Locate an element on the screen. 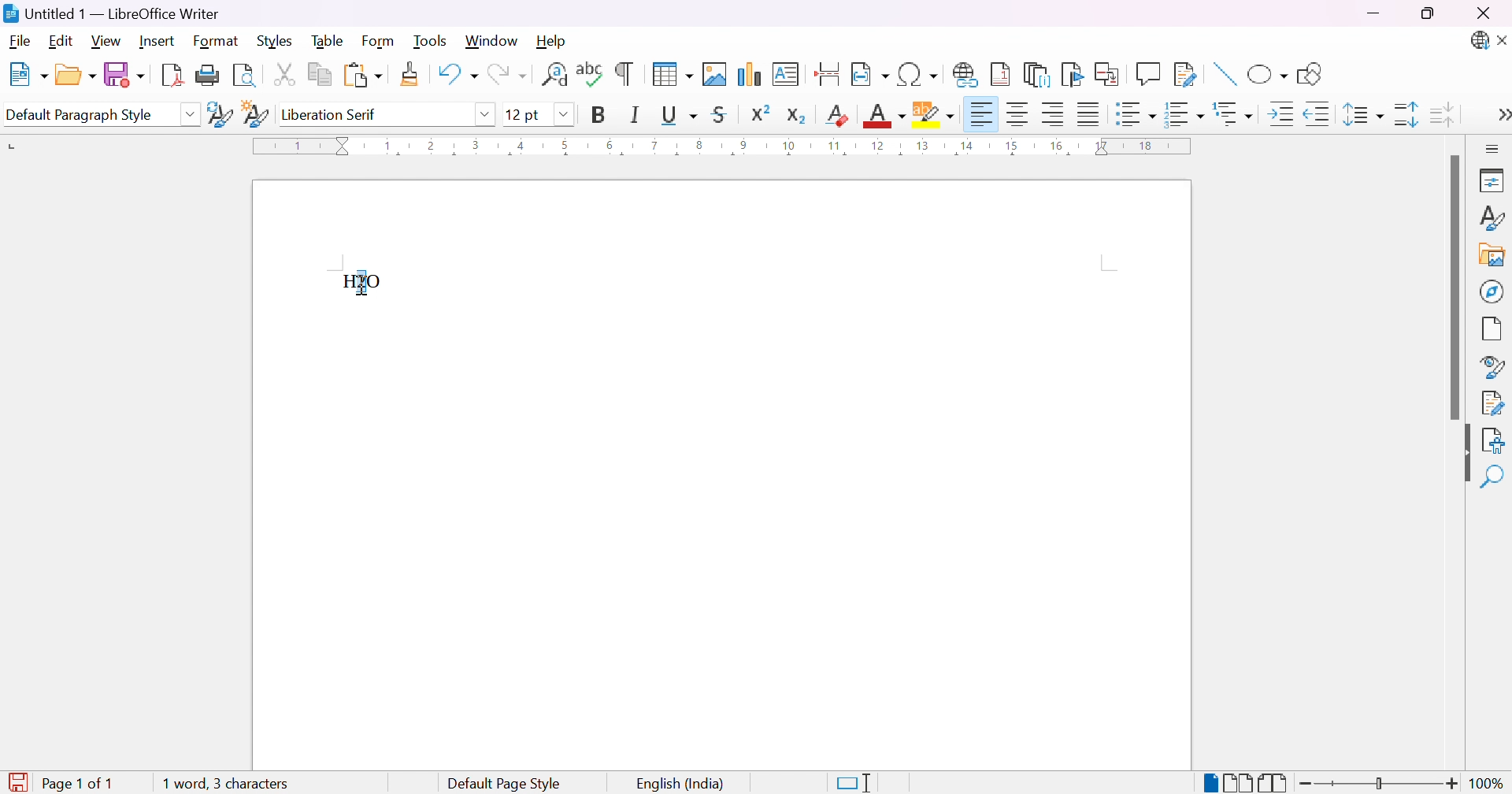  Scroll bar is located at coordinates (1453, 288).